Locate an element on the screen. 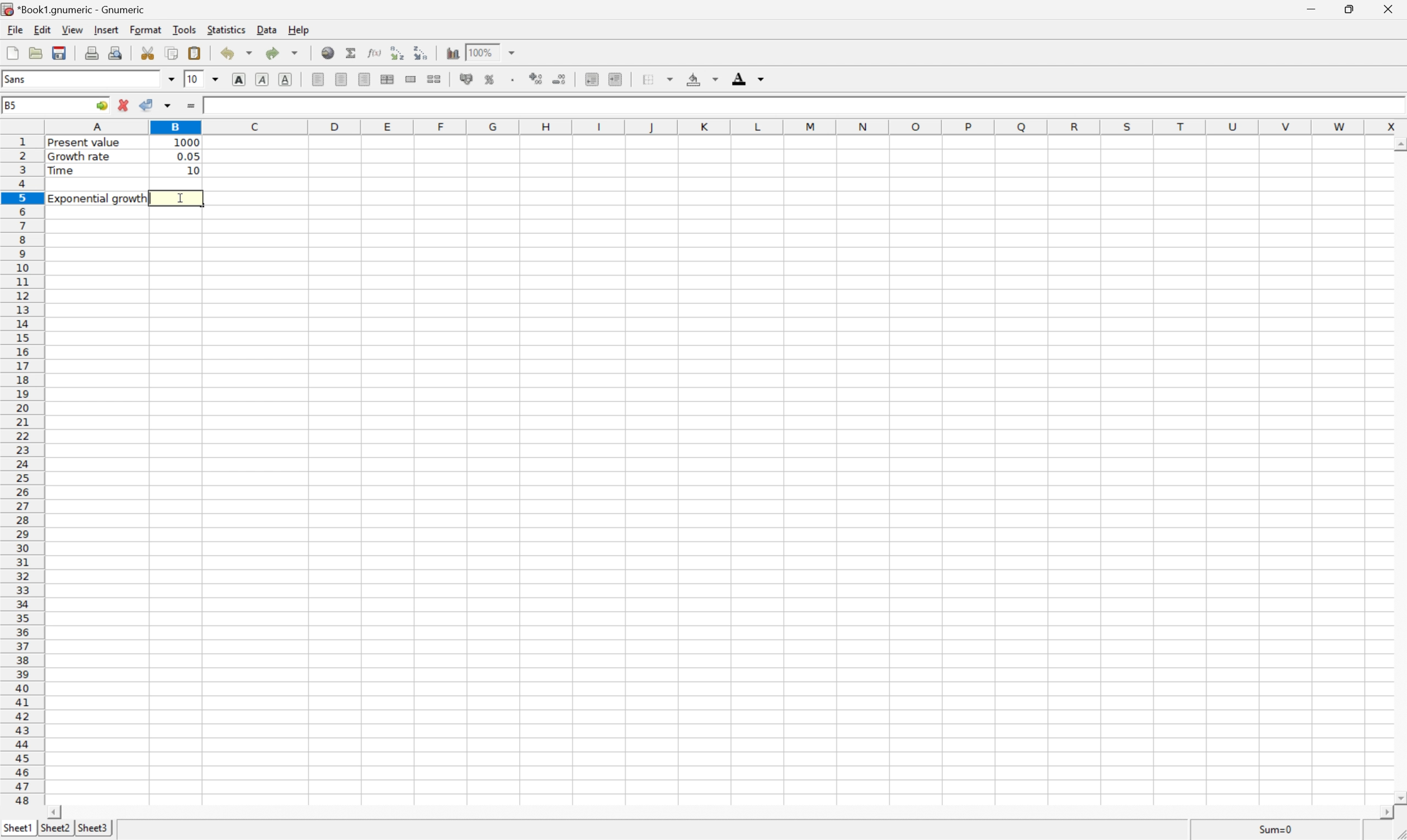  Bold is located at coordinates (240, 79).